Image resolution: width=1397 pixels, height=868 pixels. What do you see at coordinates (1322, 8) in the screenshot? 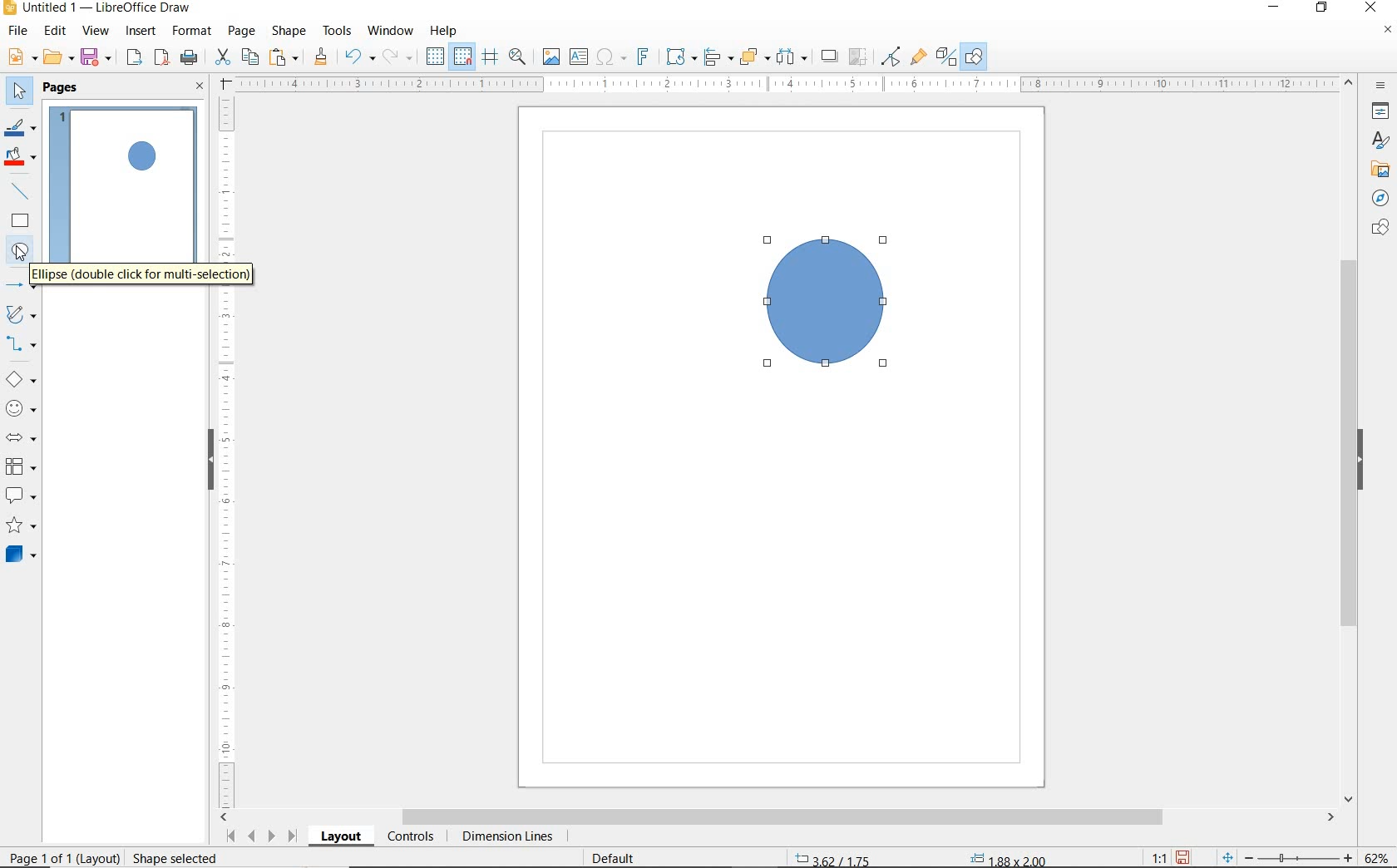
I see `RESTORE DOWN` at bounding box center [1322, 8].